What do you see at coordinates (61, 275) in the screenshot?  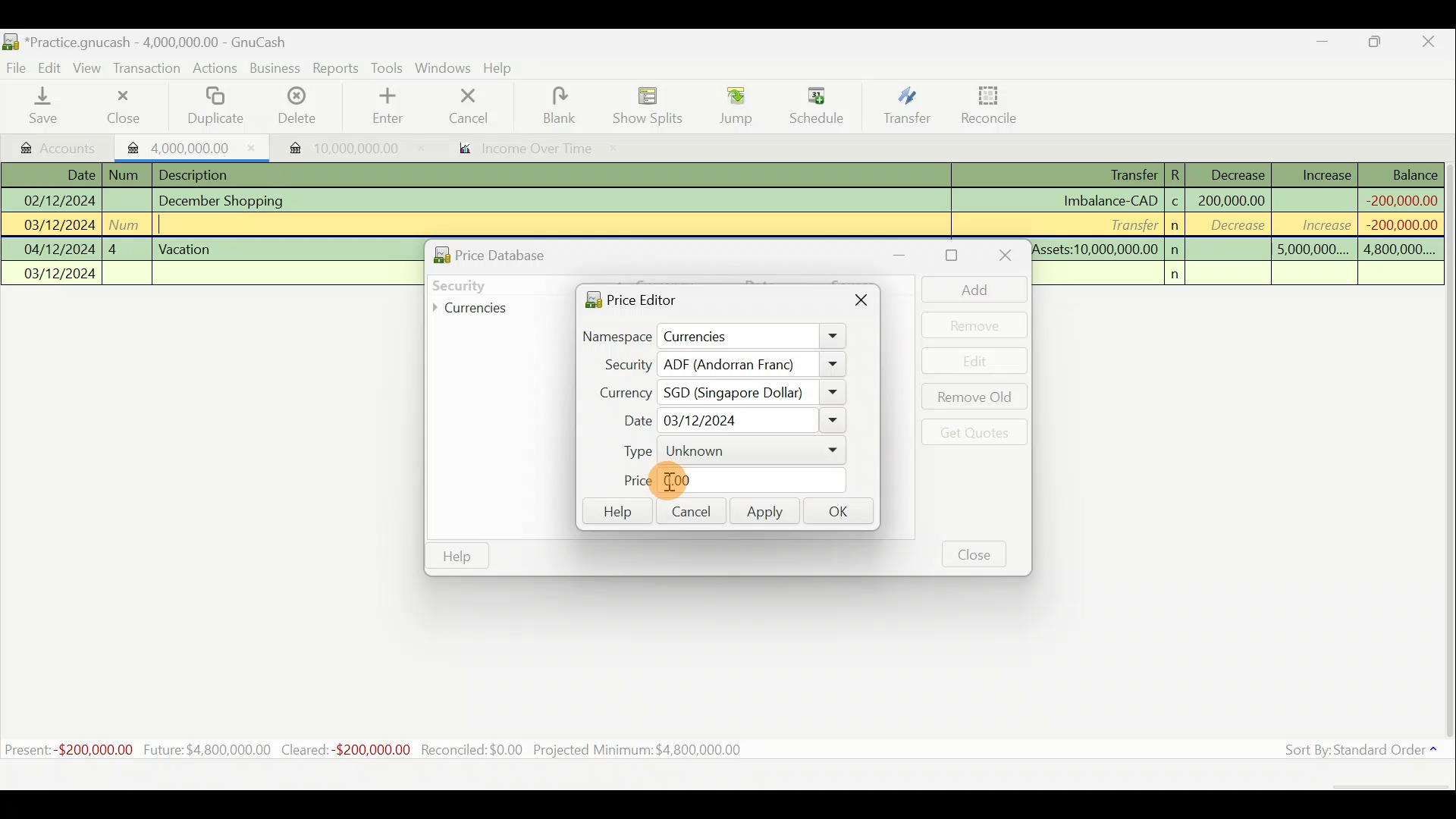 I see `03/12/2024` at bounding box center [61, 275].